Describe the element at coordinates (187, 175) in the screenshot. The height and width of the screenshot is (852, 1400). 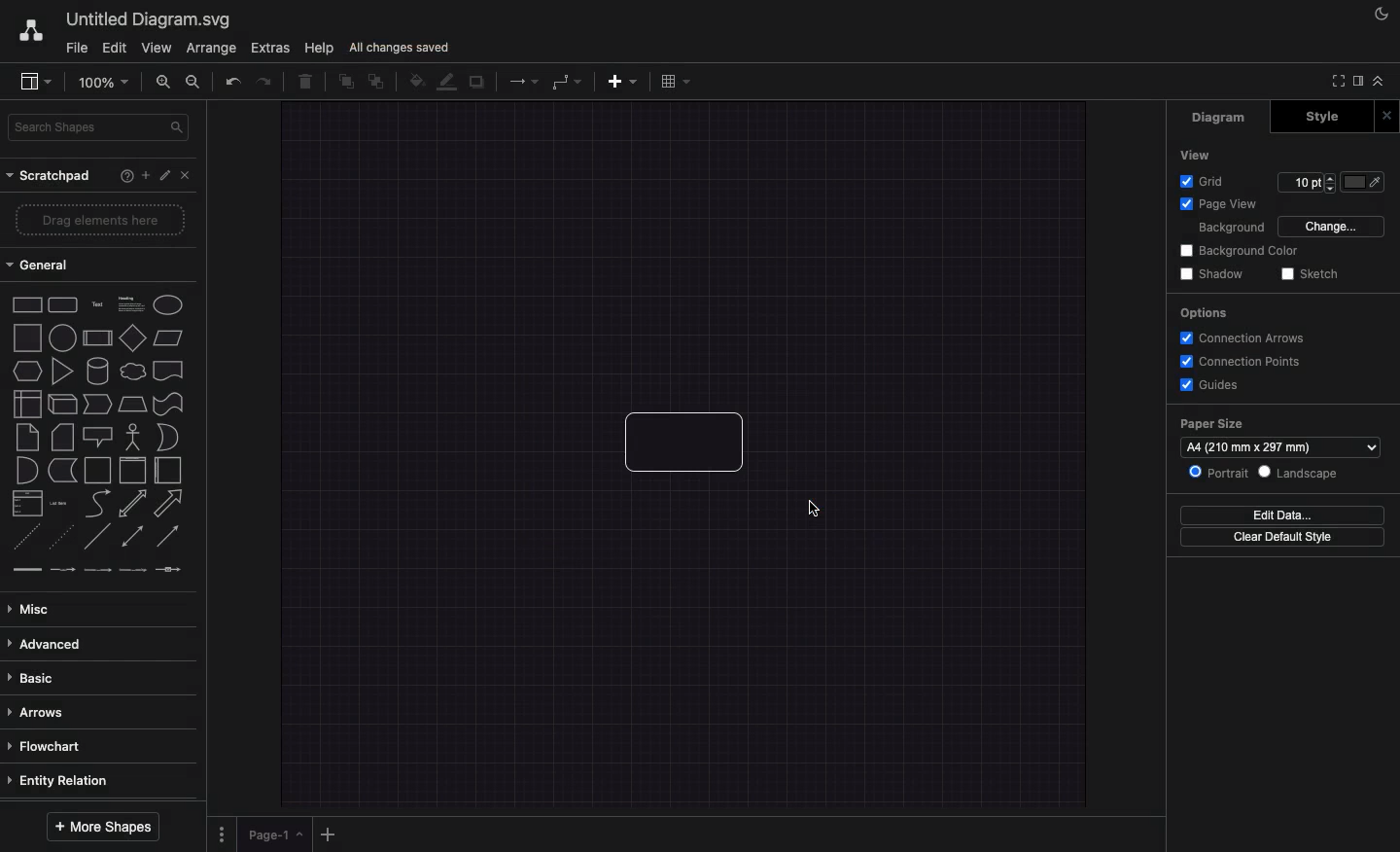
I see `Close` at that location.